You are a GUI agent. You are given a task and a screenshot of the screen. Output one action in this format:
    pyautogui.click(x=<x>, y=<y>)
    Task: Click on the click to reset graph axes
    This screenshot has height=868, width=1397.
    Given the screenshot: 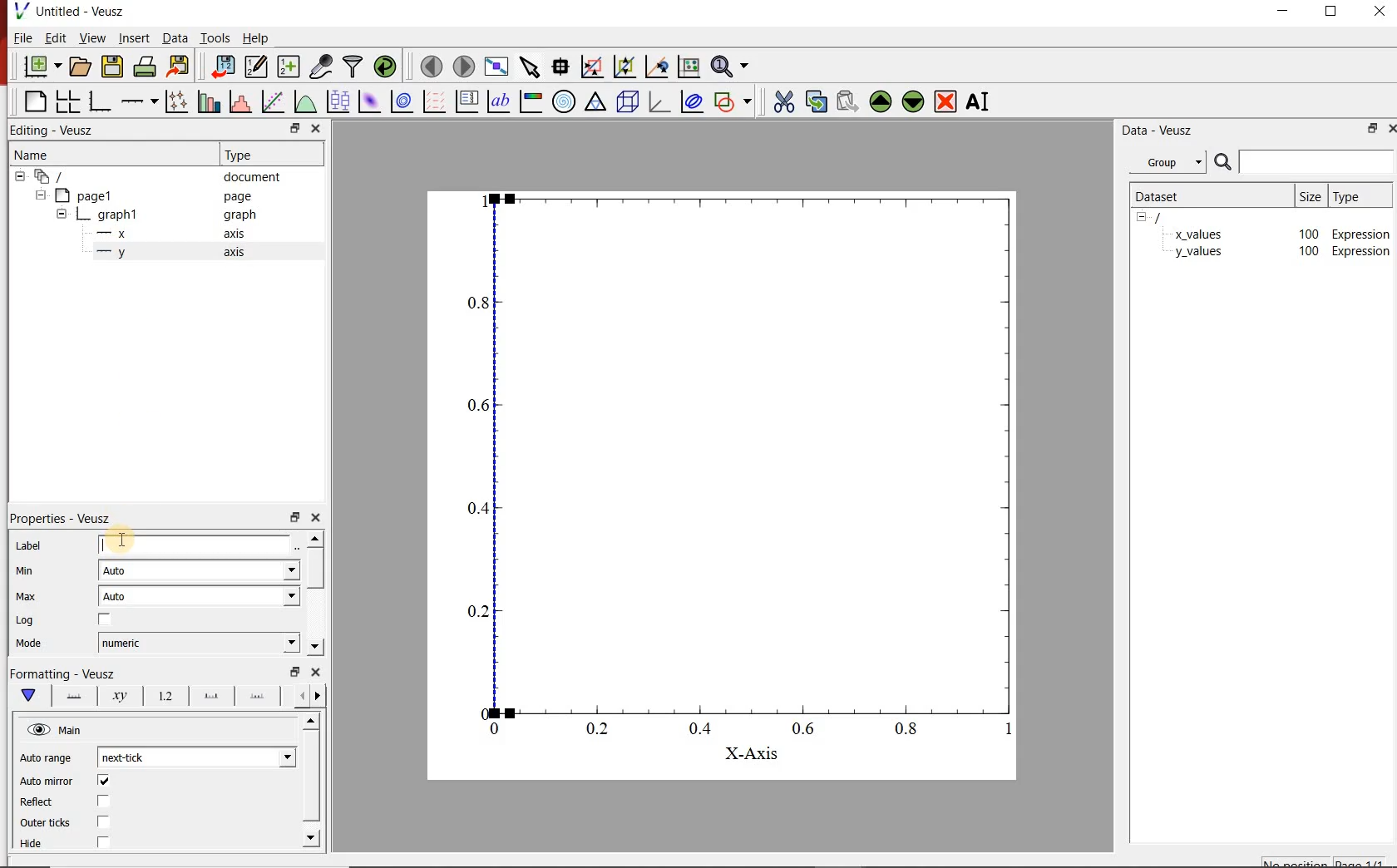 What is the action you would take?
    pyautogui.click(x=688, y=67)
    